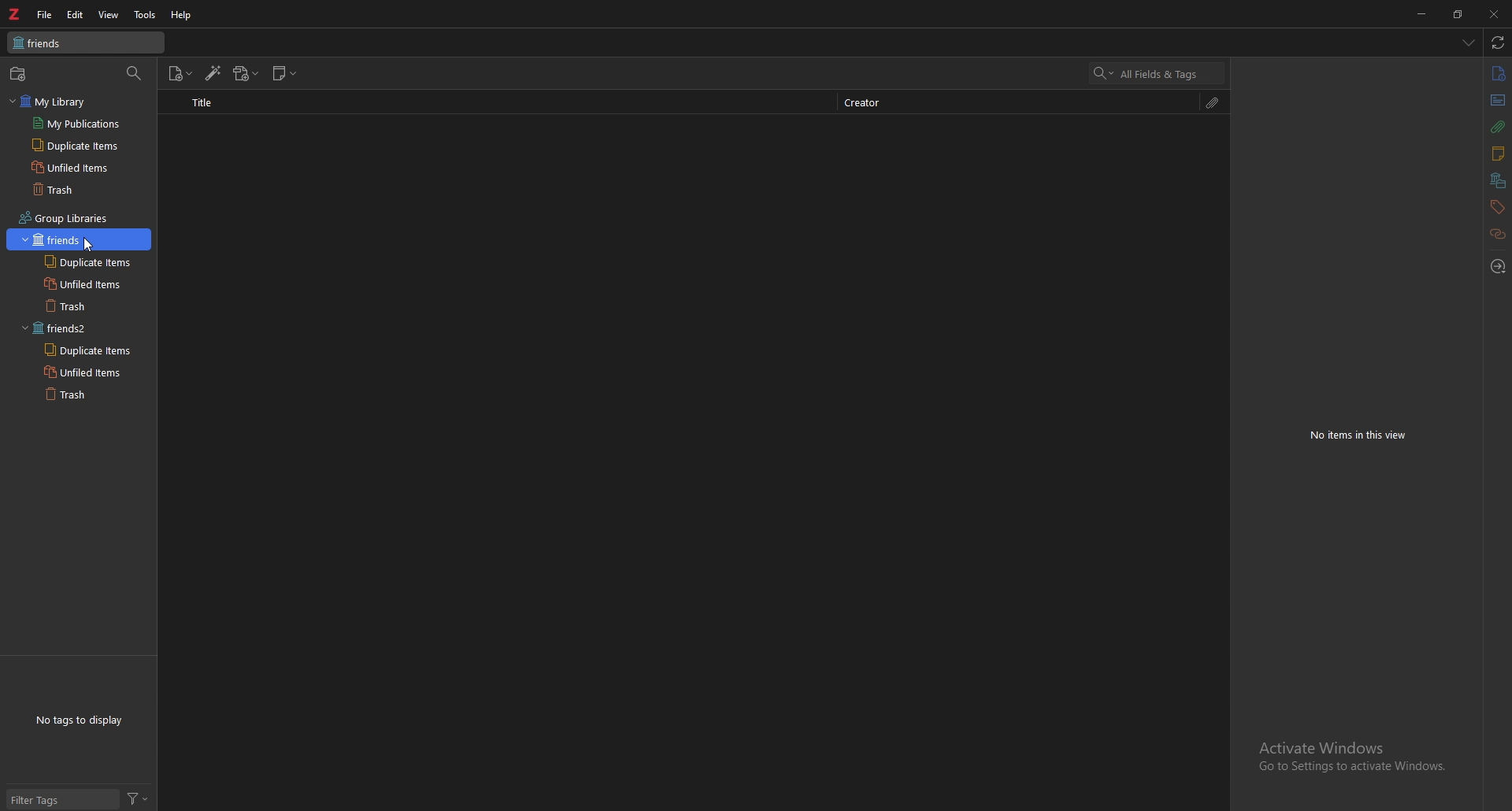 The width and height of the screenshot is (1512, 811). Describe the element at coordinates (87, 144) in the screenshot. I see `duplicate items` at that location.